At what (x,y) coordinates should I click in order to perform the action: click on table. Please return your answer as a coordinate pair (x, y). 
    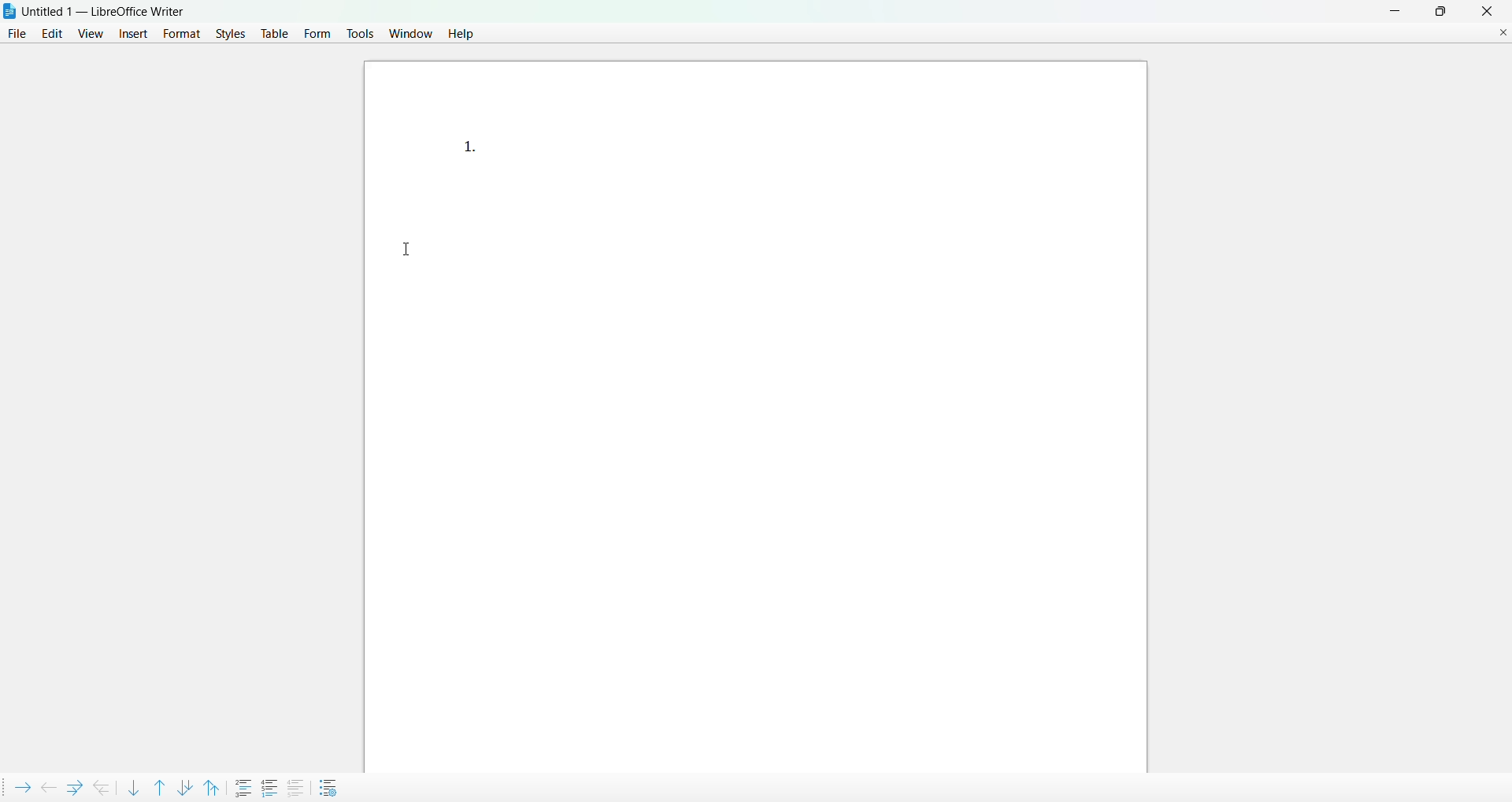
    Looking at the image, I should click on (274, 35).